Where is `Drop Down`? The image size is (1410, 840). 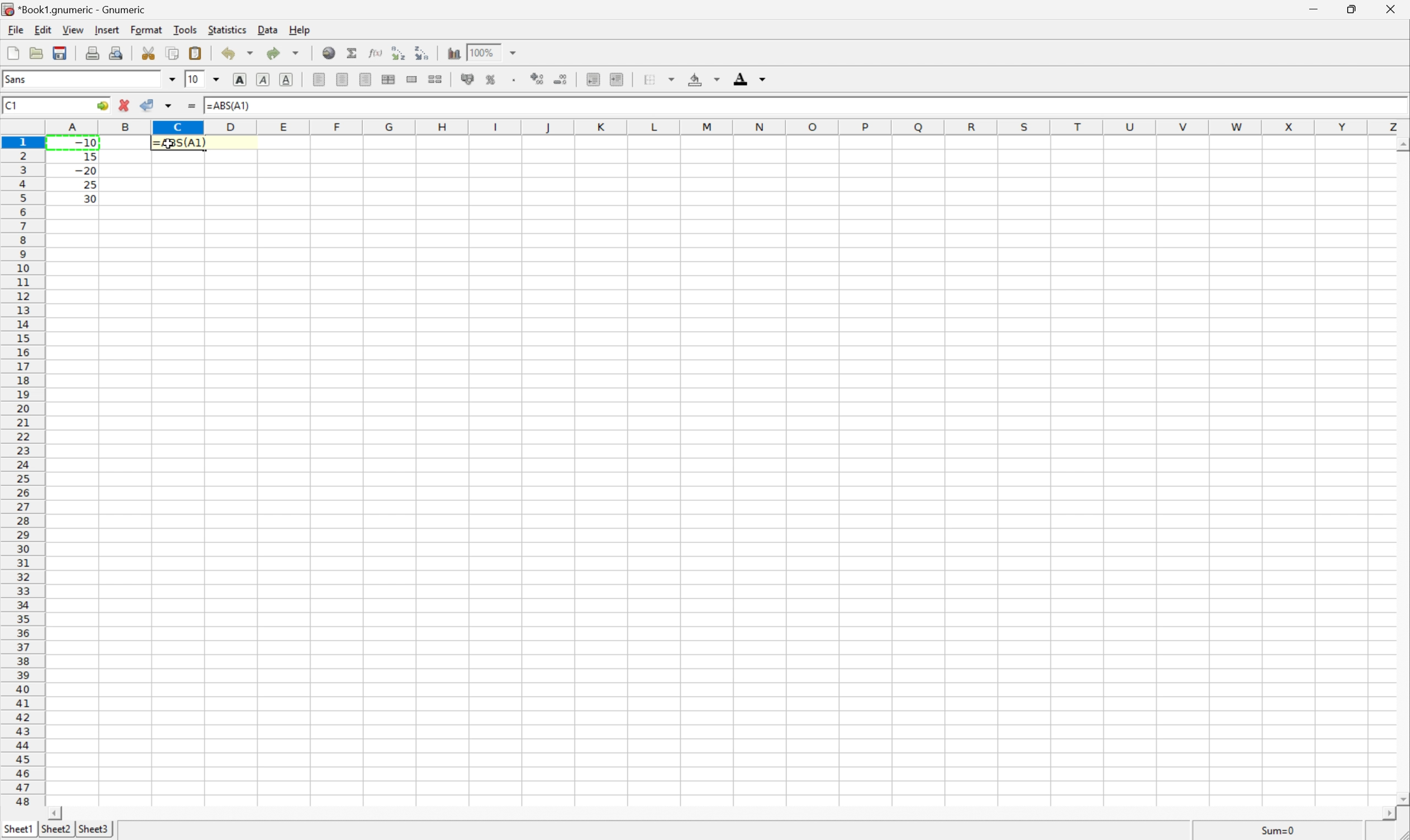 Drop Down is located at coordinates (218, 78).